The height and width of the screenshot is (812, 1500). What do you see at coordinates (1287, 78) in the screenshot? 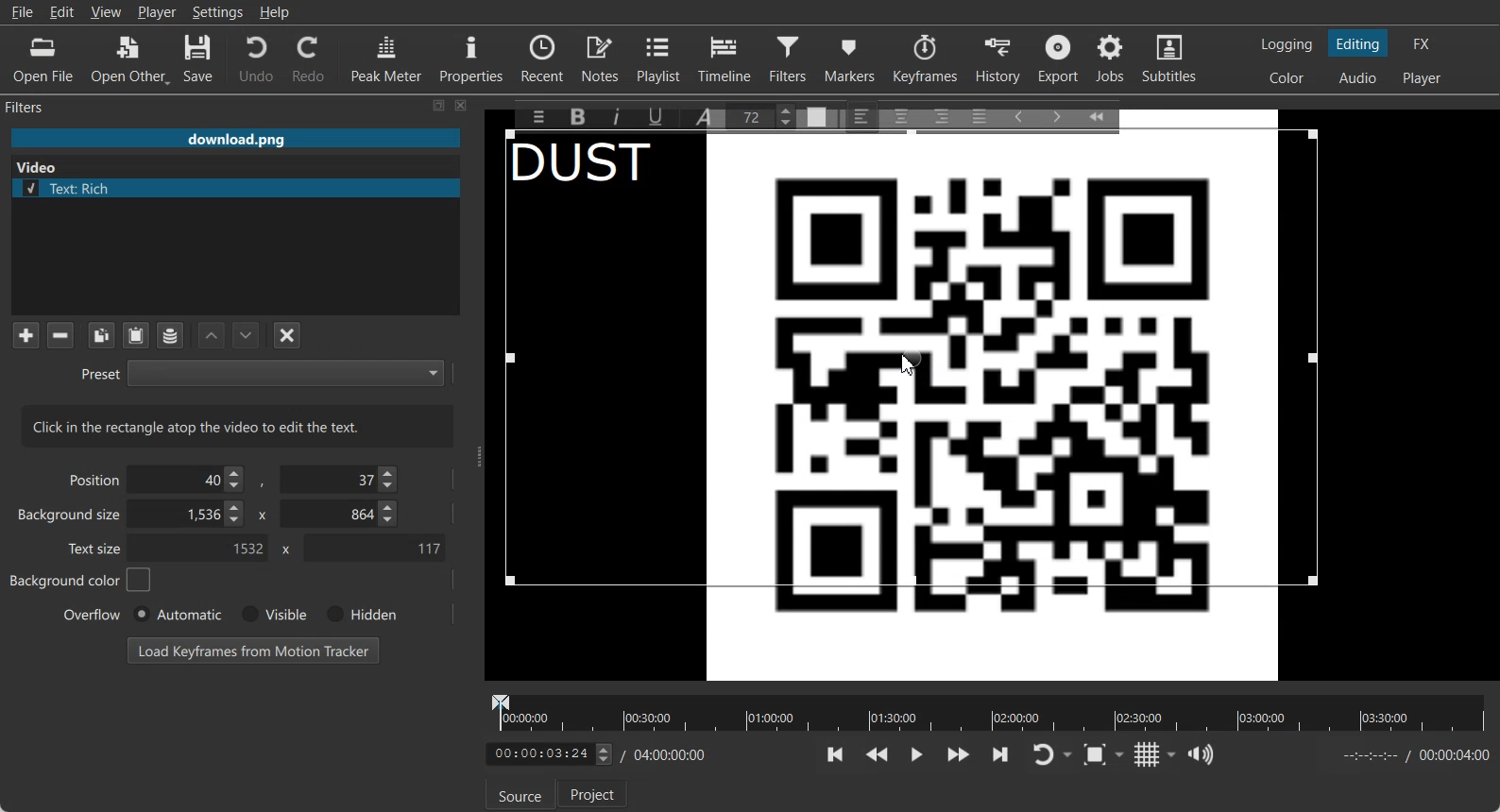
I see `Switching to the Color layout` at bounding box center [1287, 78].